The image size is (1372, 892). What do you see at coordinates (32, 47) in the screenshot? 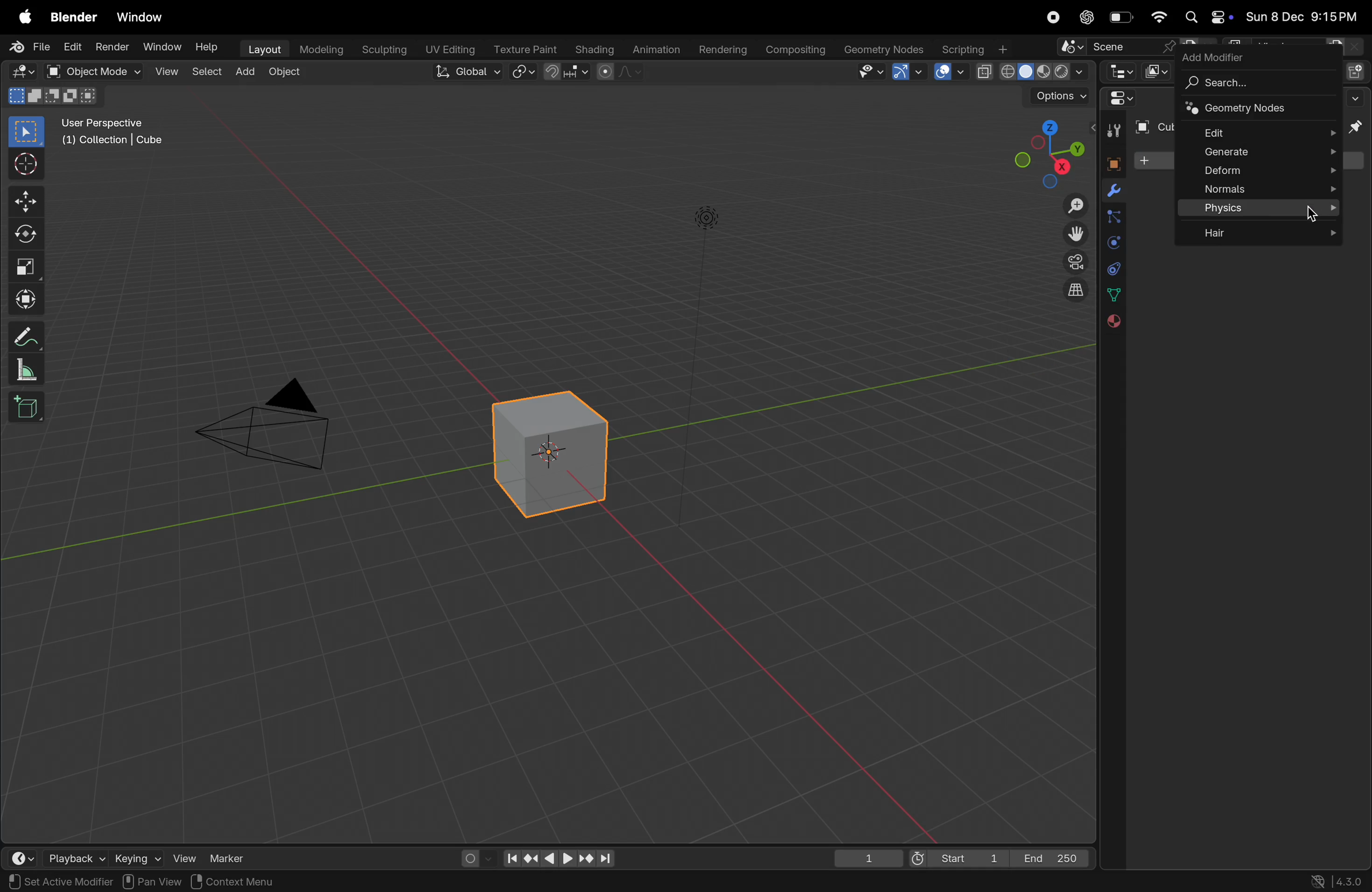
I see `file` at bounding box center [32, 47].